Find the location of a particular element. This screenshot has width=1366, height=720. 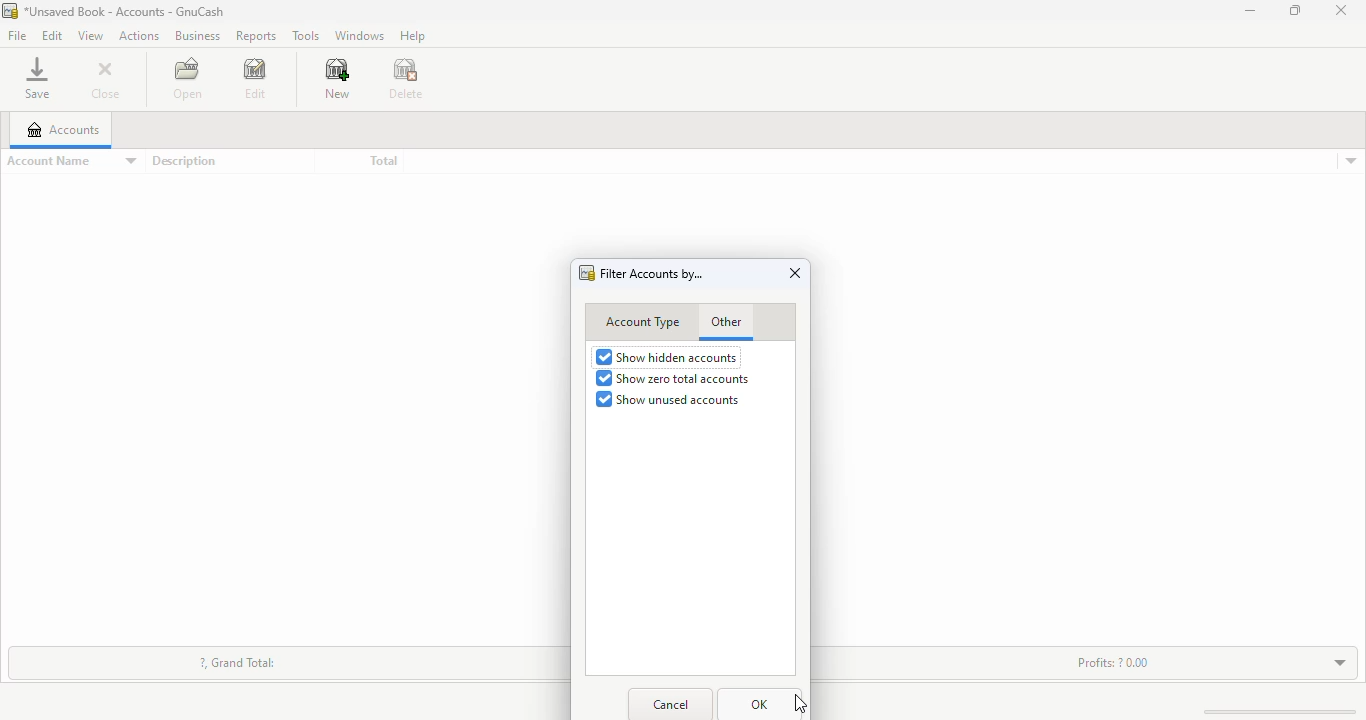

windows is located at coordinates (358, 36).